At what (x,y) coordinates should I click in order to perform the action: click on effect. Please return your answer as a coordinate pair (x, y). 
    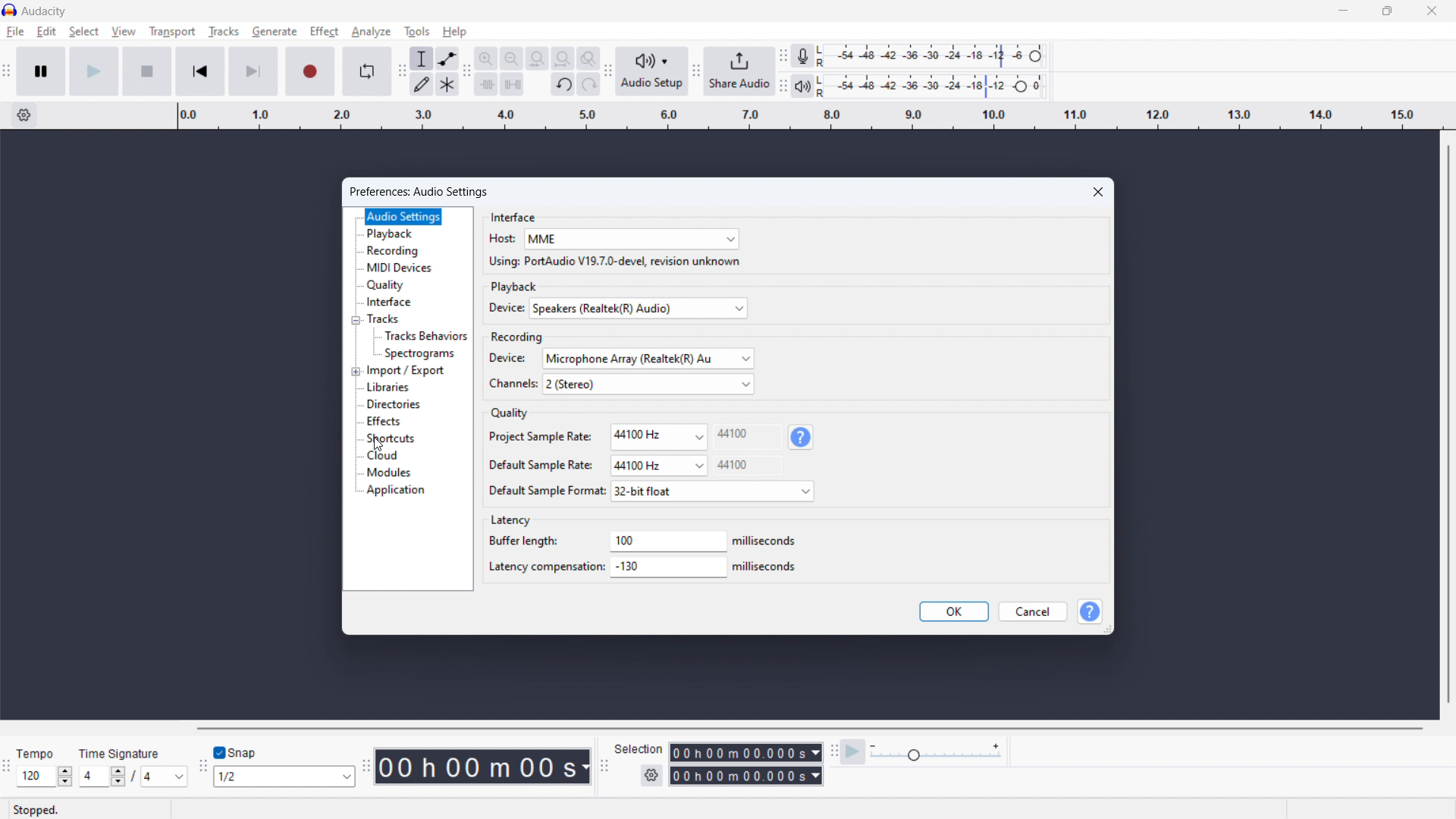
    Looking at the image, I should click on (324, 31).